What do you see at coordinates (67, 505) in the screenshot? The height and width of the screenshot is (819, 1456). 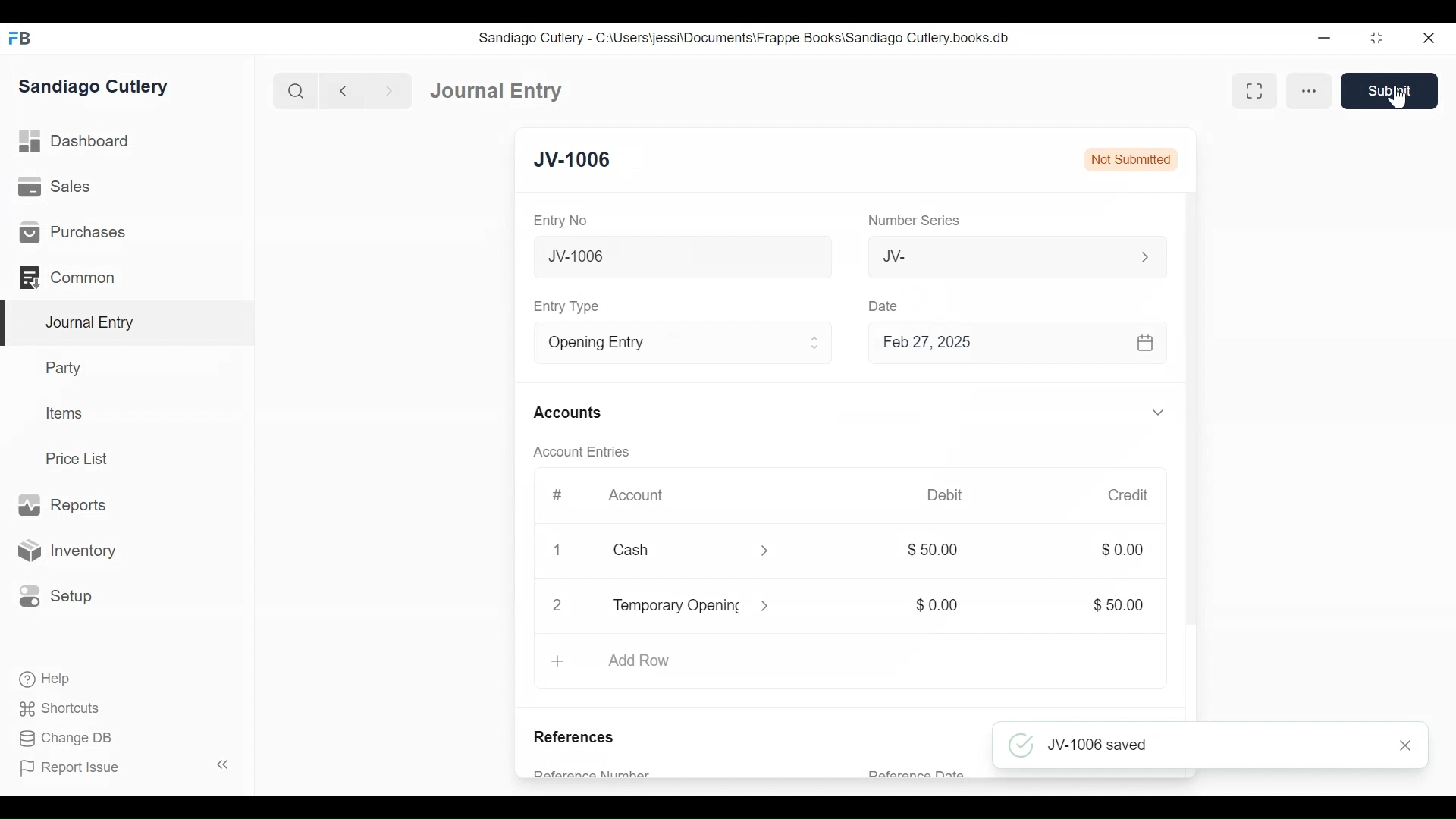 I see `Reports` at bounding box center [67, 505].